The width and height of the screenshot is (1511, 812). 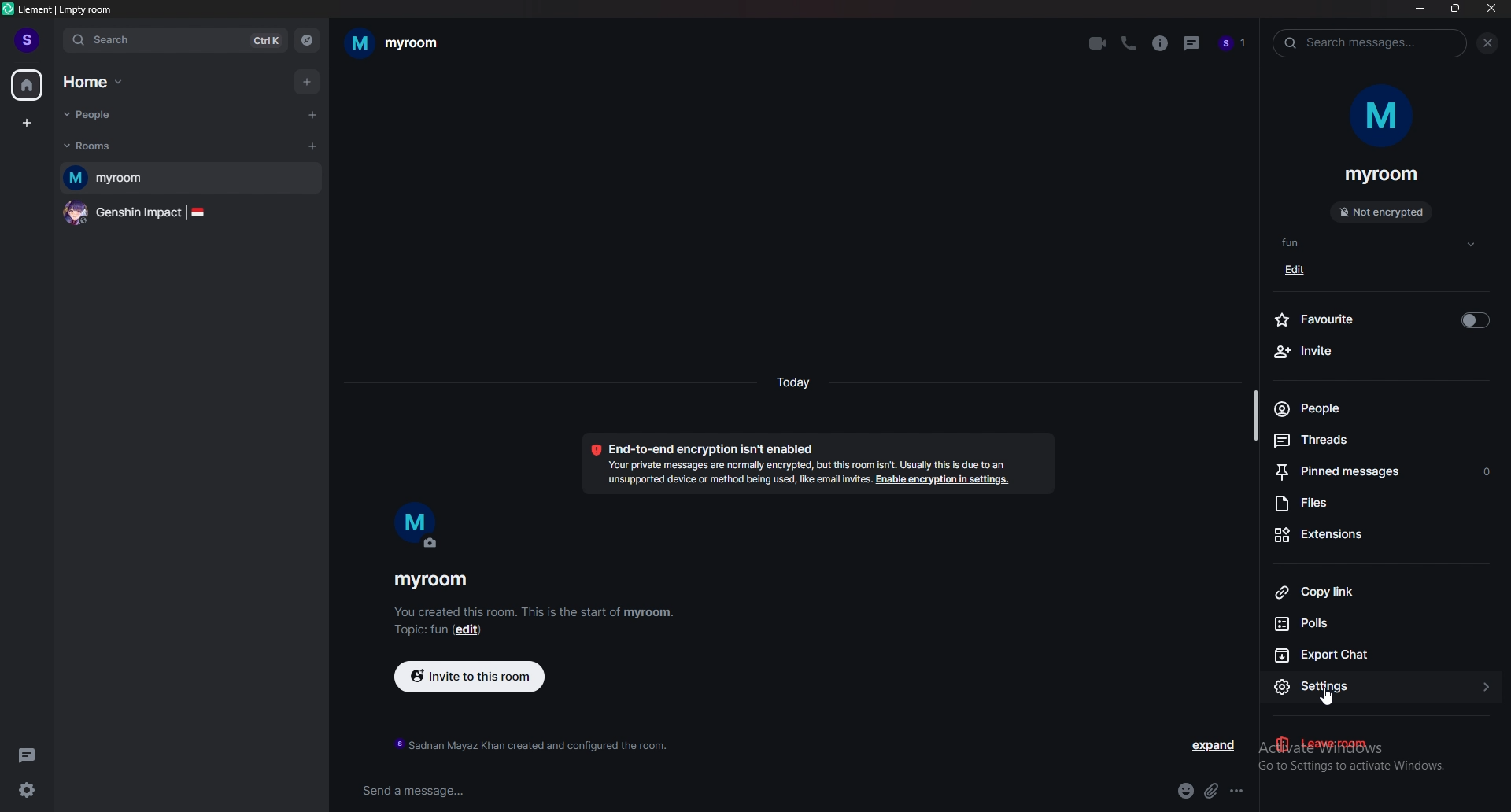 What do you see at coordinates (1160, 44) in the screenshot?
I see `room info` at bounding box center [1160, 44].